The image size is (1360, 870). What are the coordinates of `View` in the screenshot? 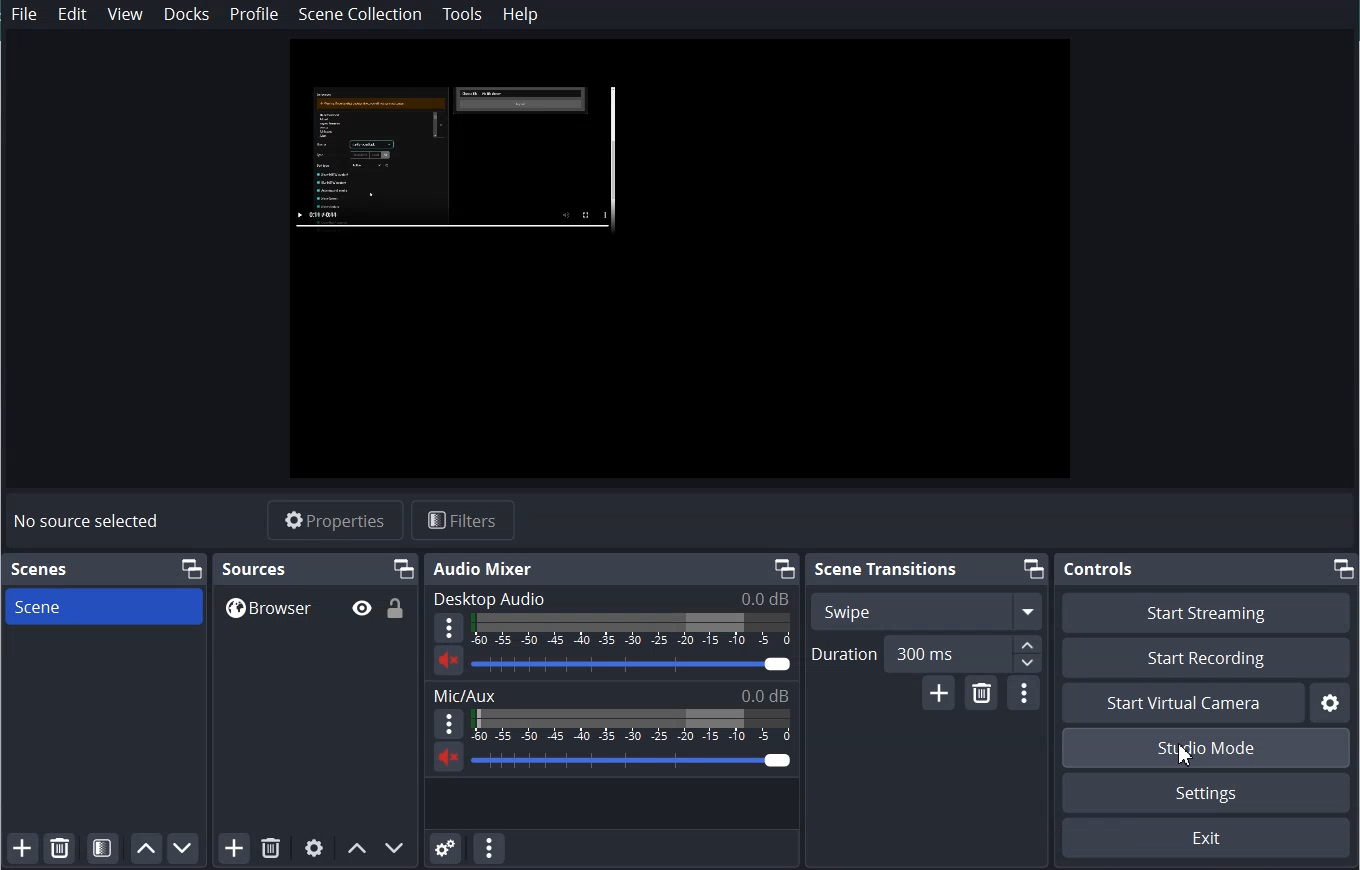 It's located at (126, 14).